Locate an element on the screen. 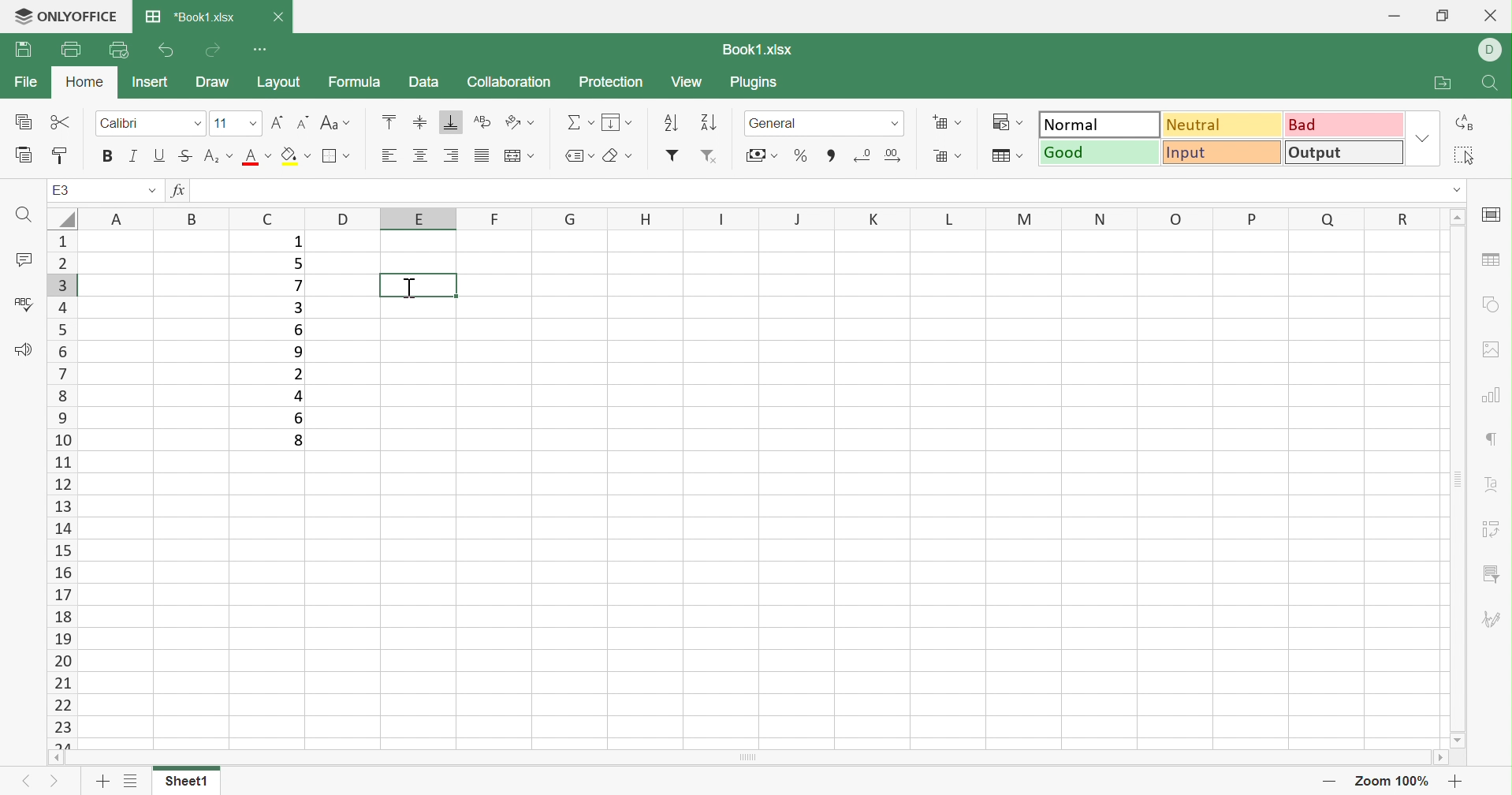 The height and width of the screenshot is (795, 1512). Zoom In is located at coordinates (1458, 784).